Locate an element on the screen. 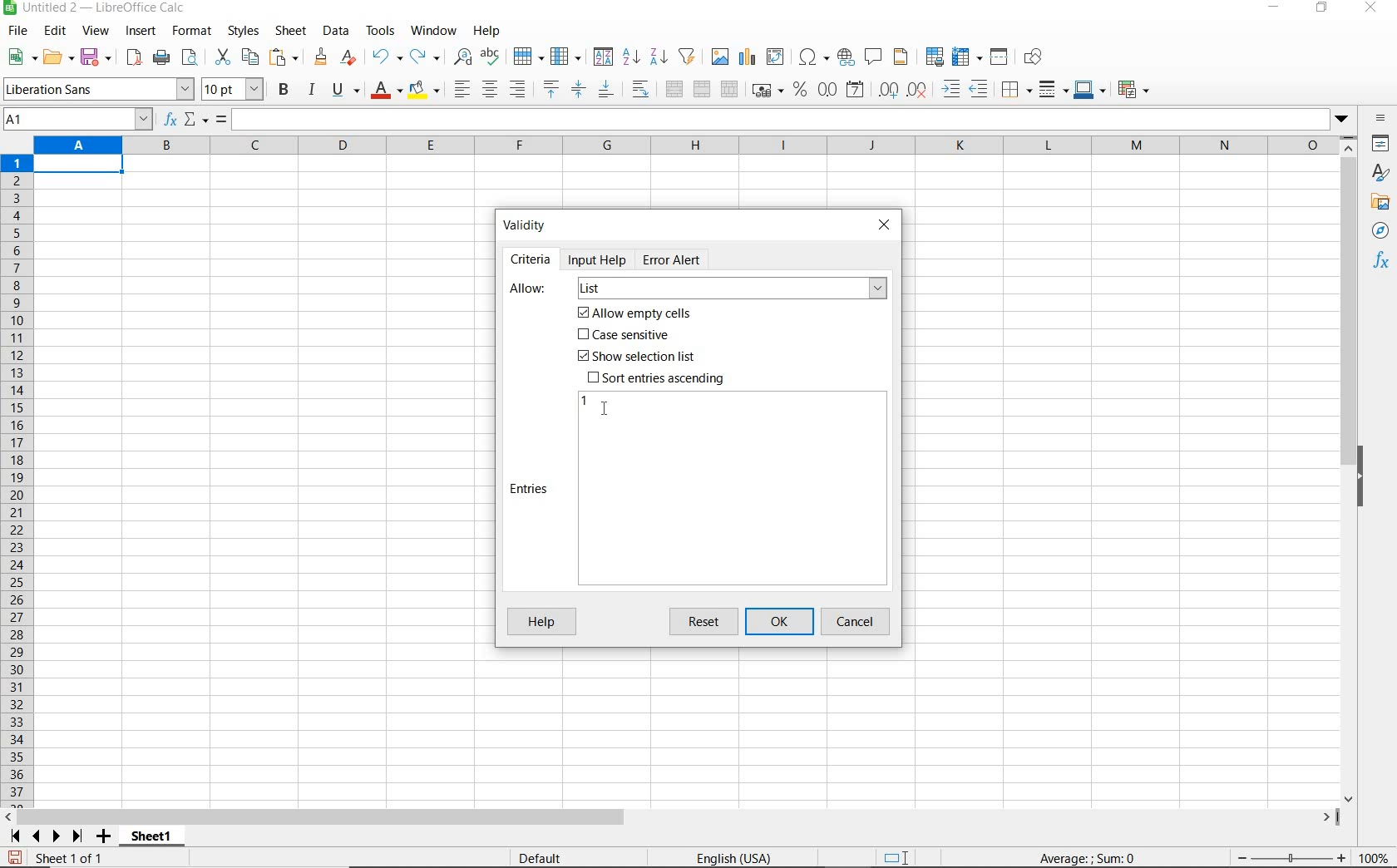 Image resolution: width=1397 pixels, height=868 pixels. decrease indent is located at coordinates (983, 89).